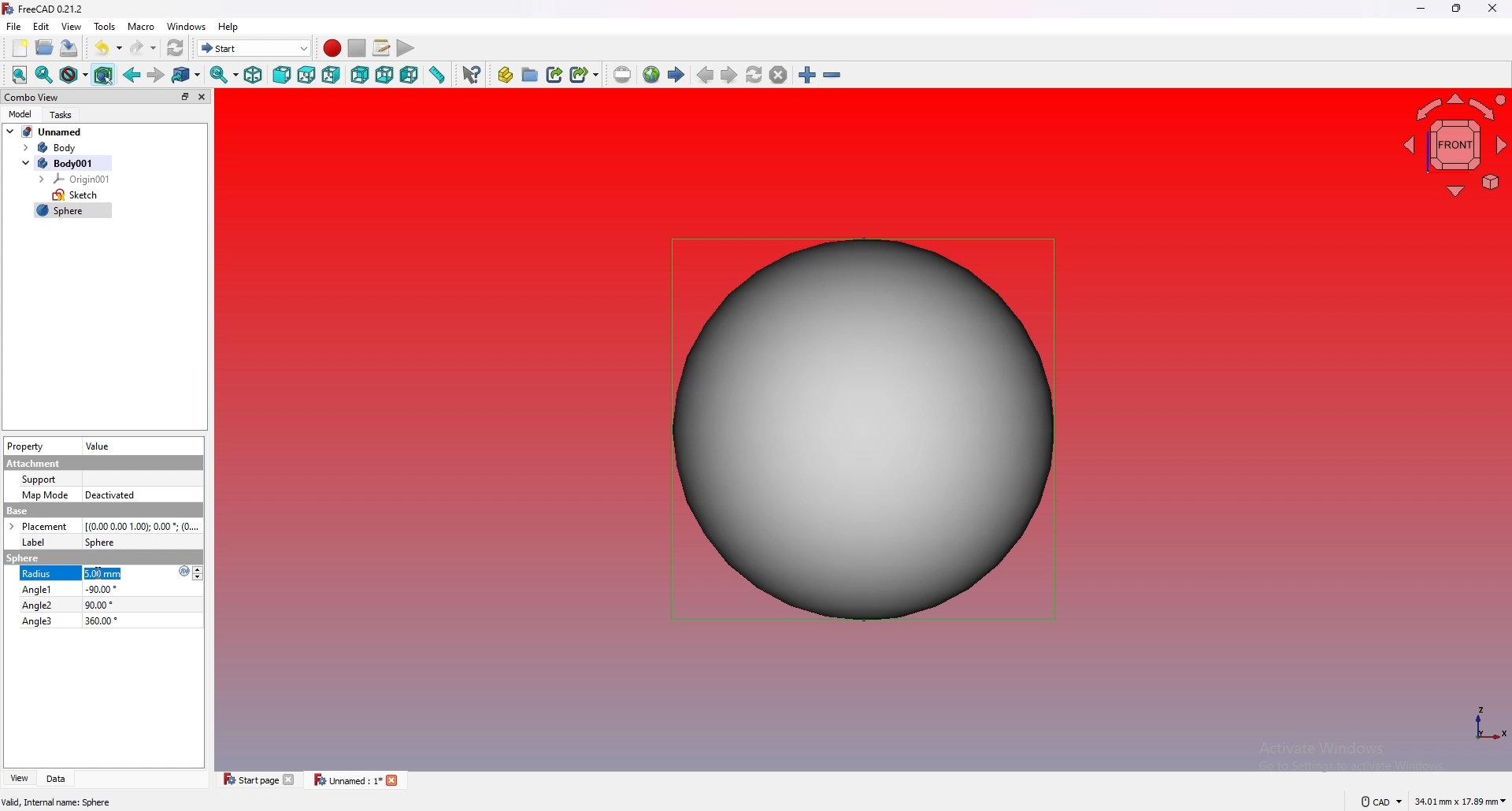 This screenshot has height=811, width=1512. I want to click on data, so click(55, 779).